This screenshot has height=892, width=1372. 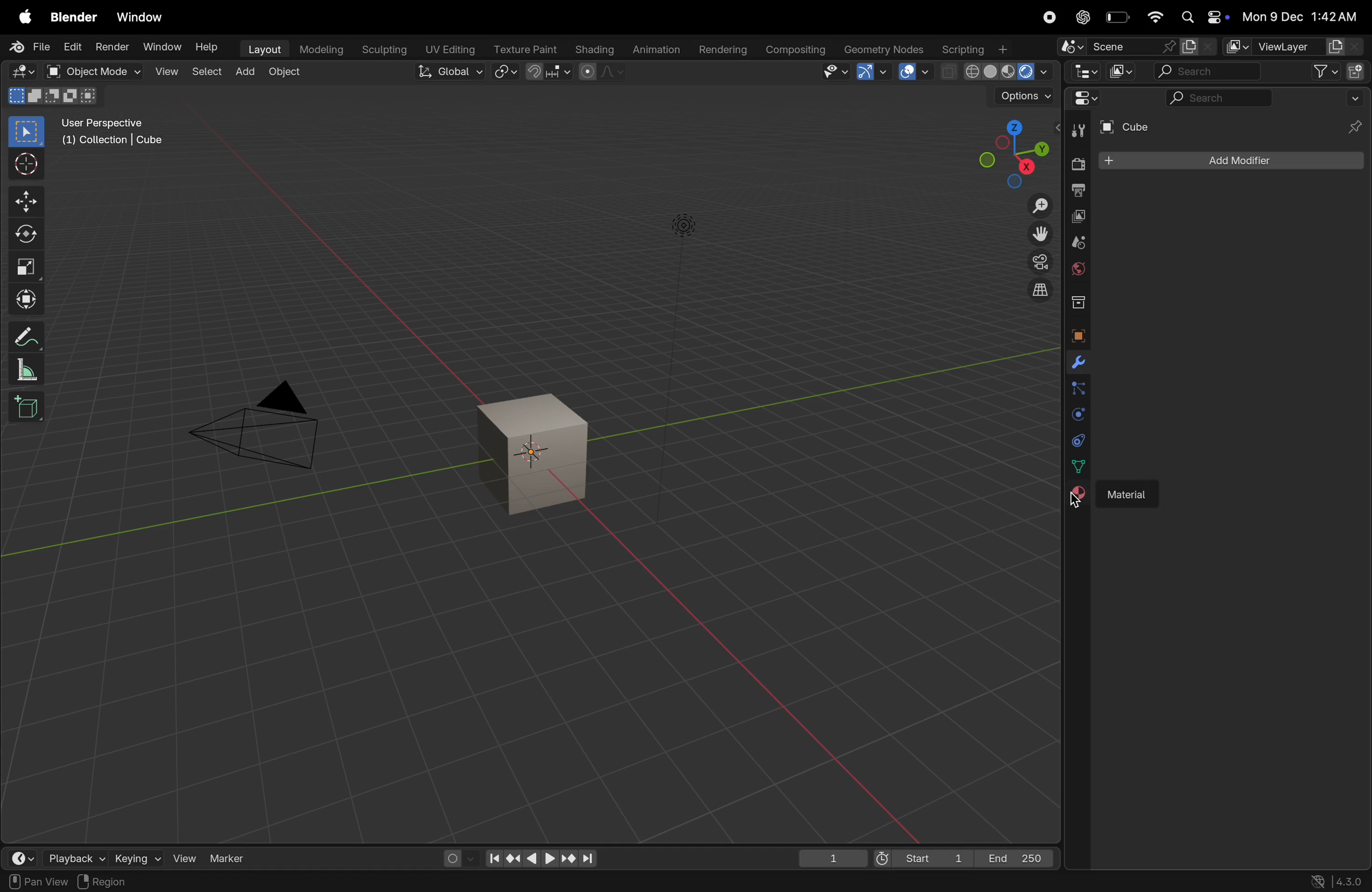 I want to click on playback, so click(x=62, y=856).